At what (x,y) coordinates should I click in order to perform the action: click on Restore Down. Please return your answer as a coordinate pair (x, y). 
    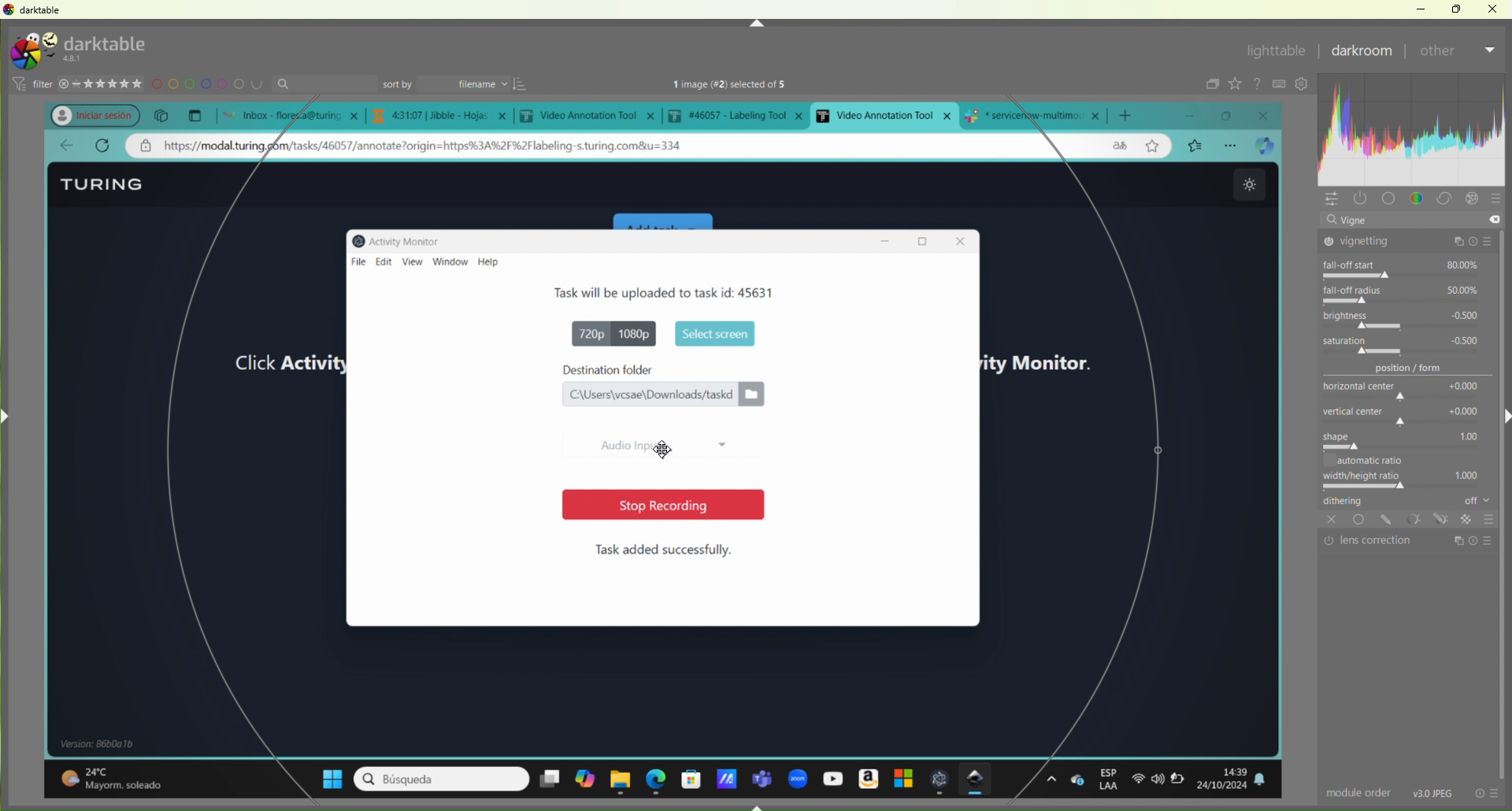
    Looking at the image, I should click on (1457, 9).